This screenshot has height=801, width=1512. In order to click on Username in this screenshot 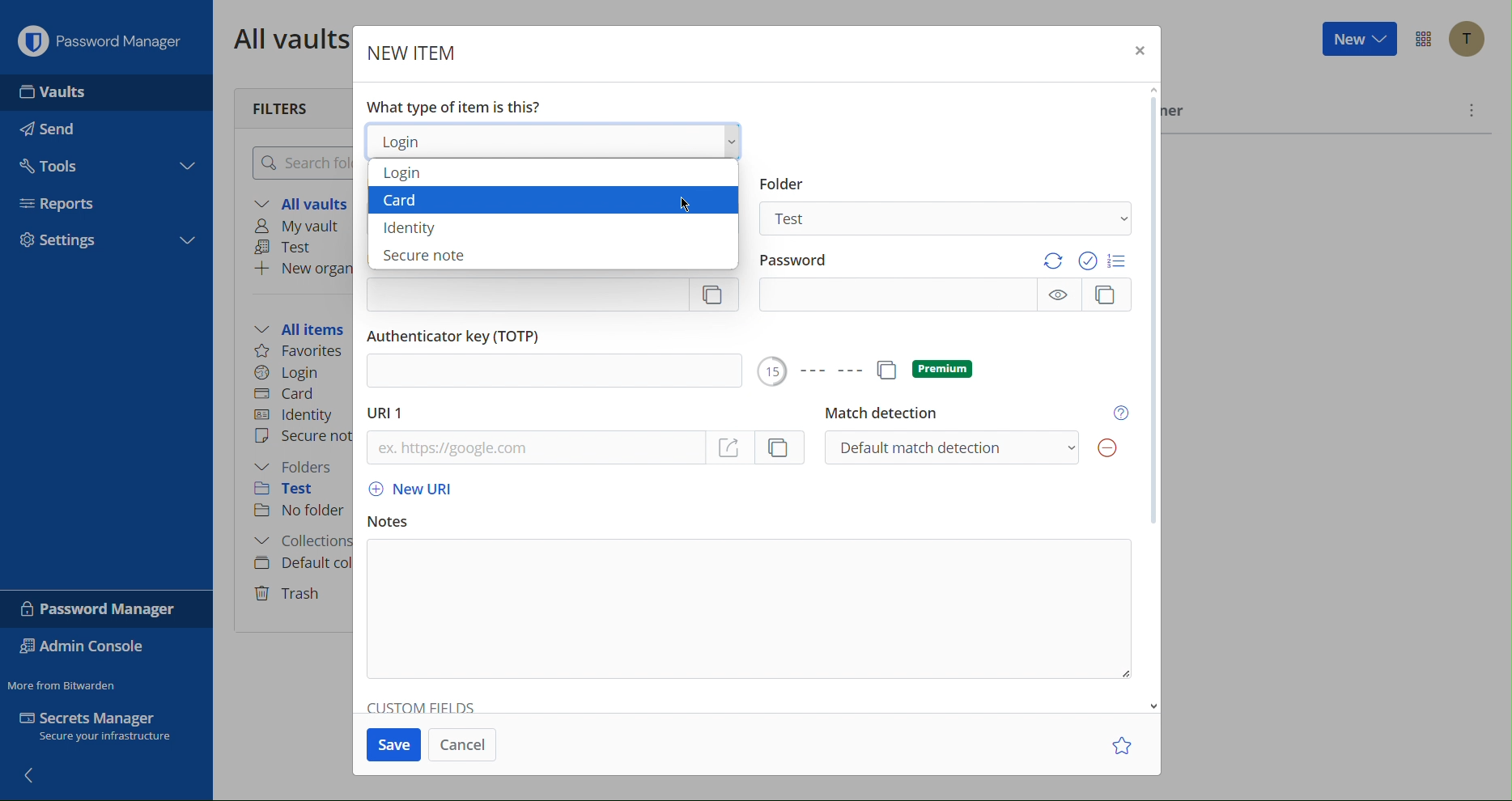, I will do `click(550, 298)`.